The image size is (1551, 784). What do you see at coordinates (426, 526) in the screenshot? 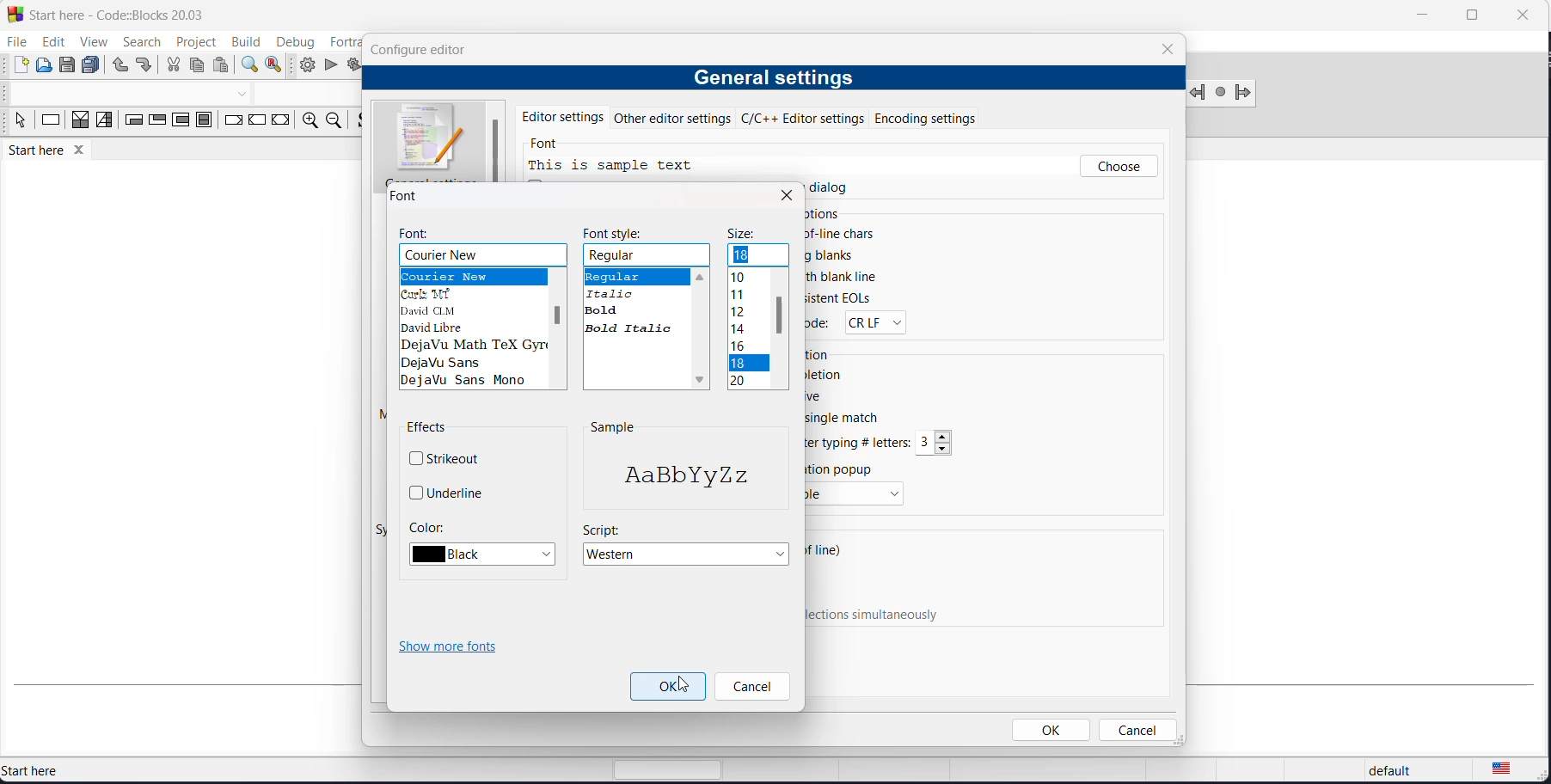
I see `color` at bounding box center [426, 526].